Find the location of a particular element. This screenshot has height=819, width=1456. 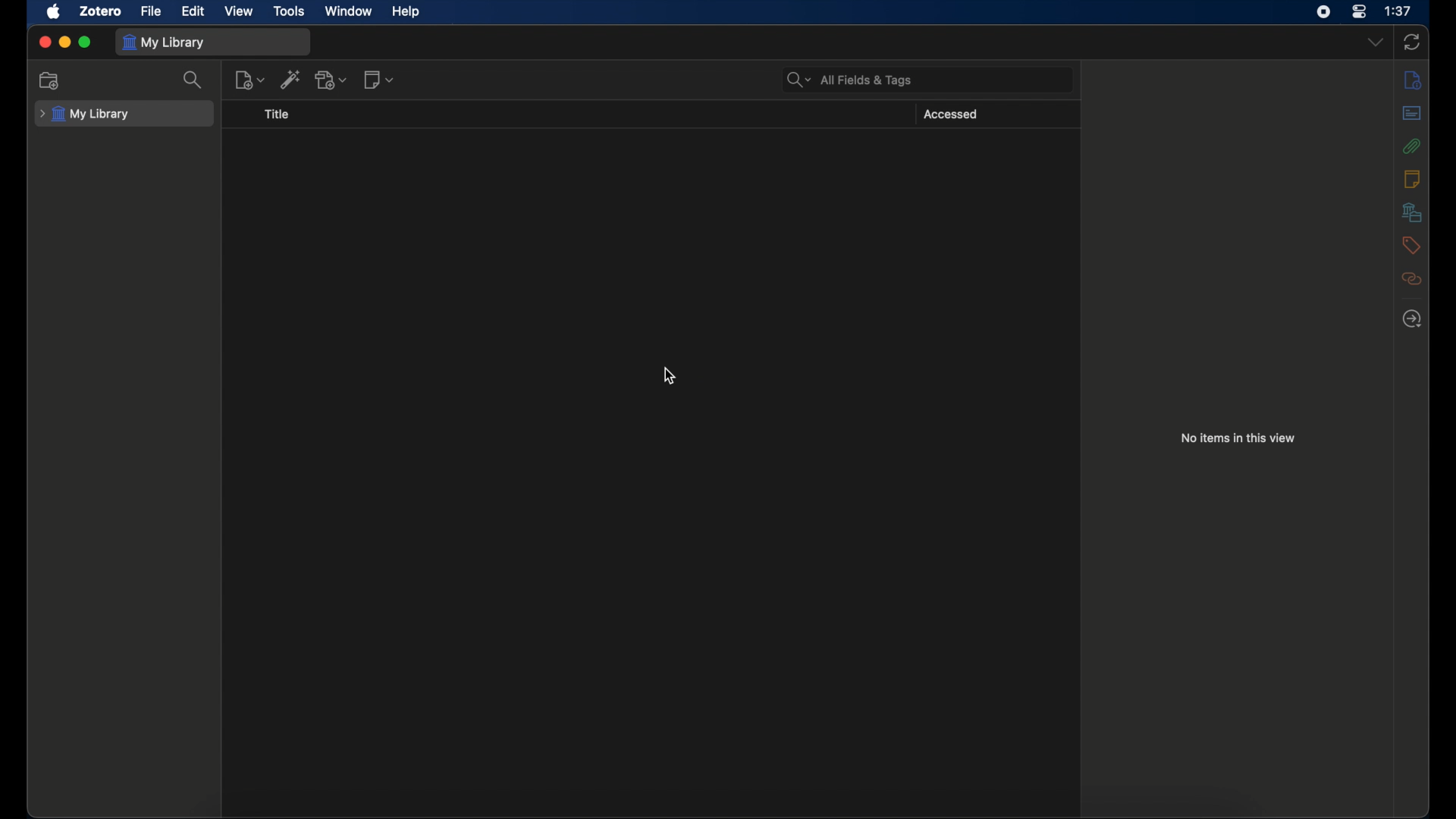

locate is located at coordinates (1412, 319).